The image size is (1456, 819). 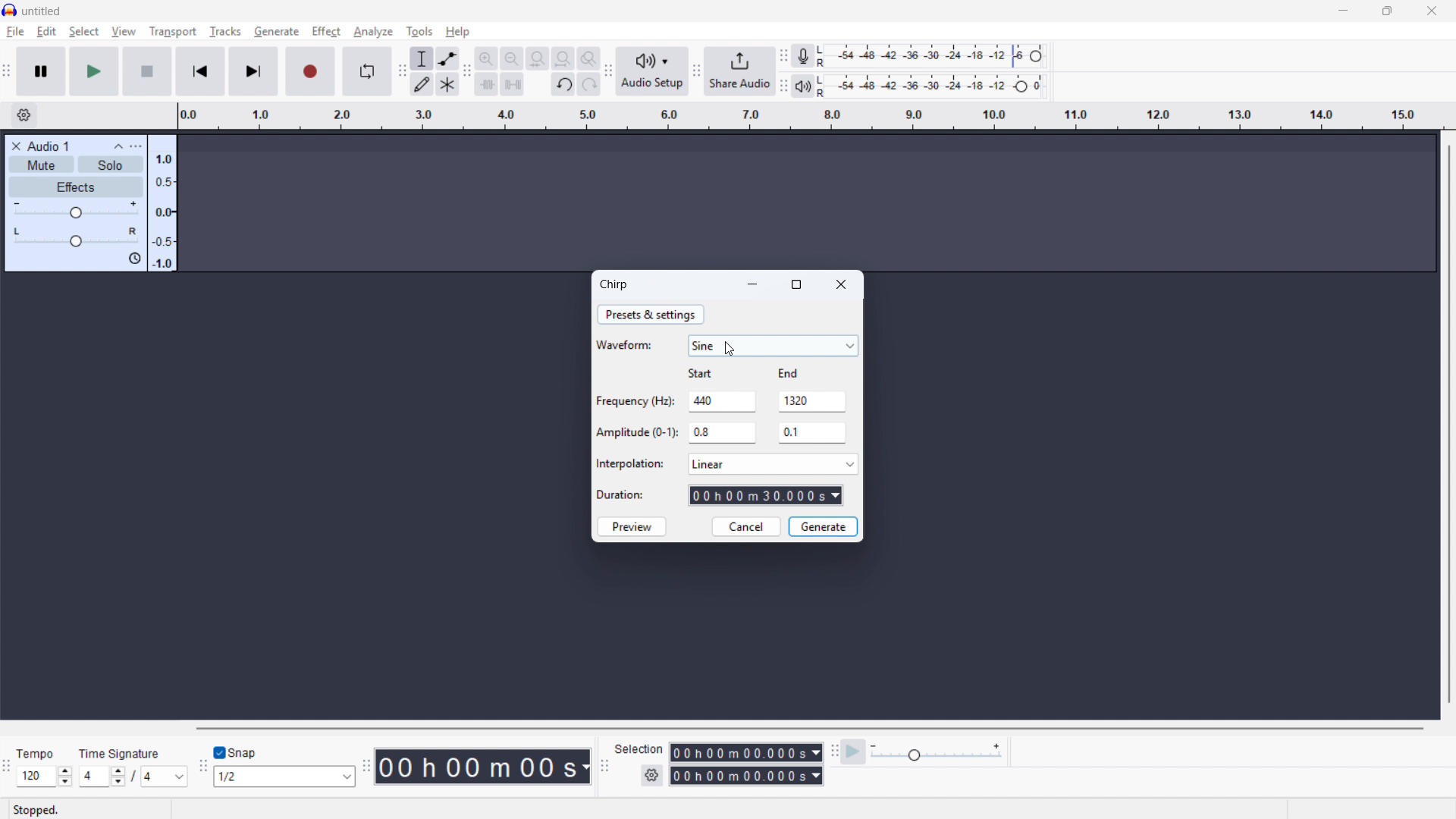 What do you see at coordinates (702, 373) in the screenshot?
I see `start` at bounding box center [702, 373].